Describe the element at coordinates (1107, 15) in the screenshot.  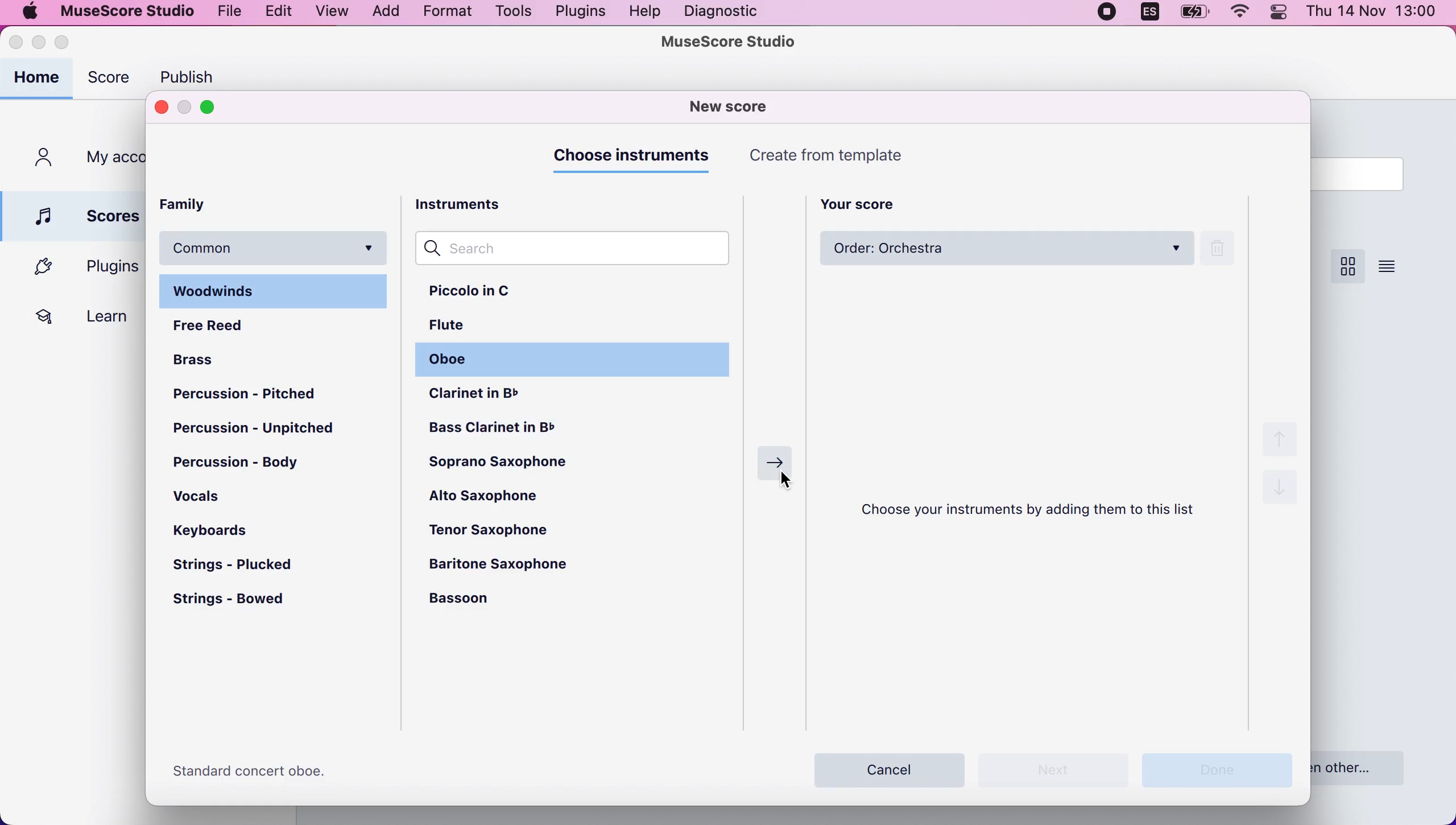
I see `recording stopped` at that location.